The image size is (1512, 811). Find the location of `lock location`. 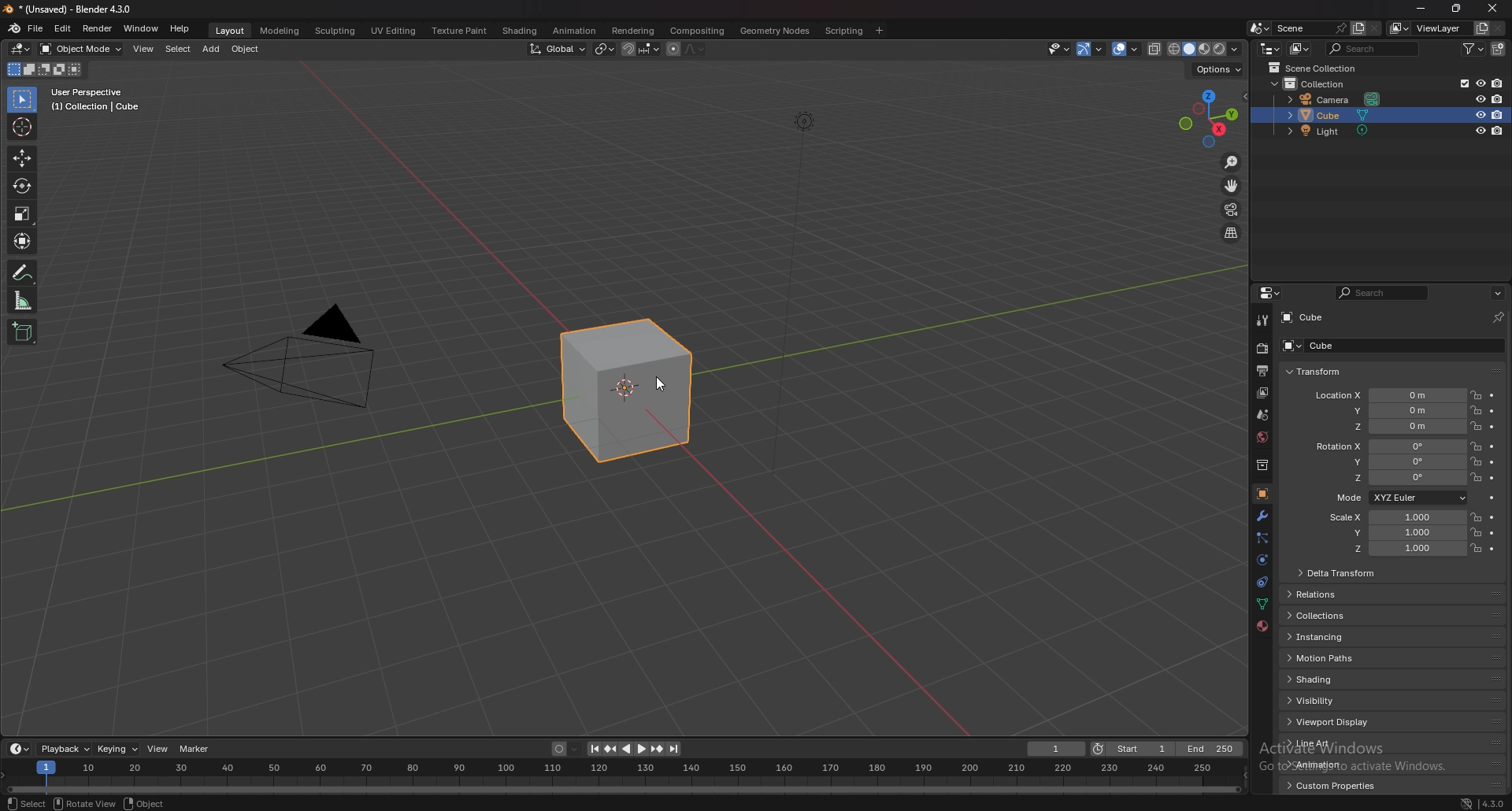

lock location is located at coordinates (1477, 446).